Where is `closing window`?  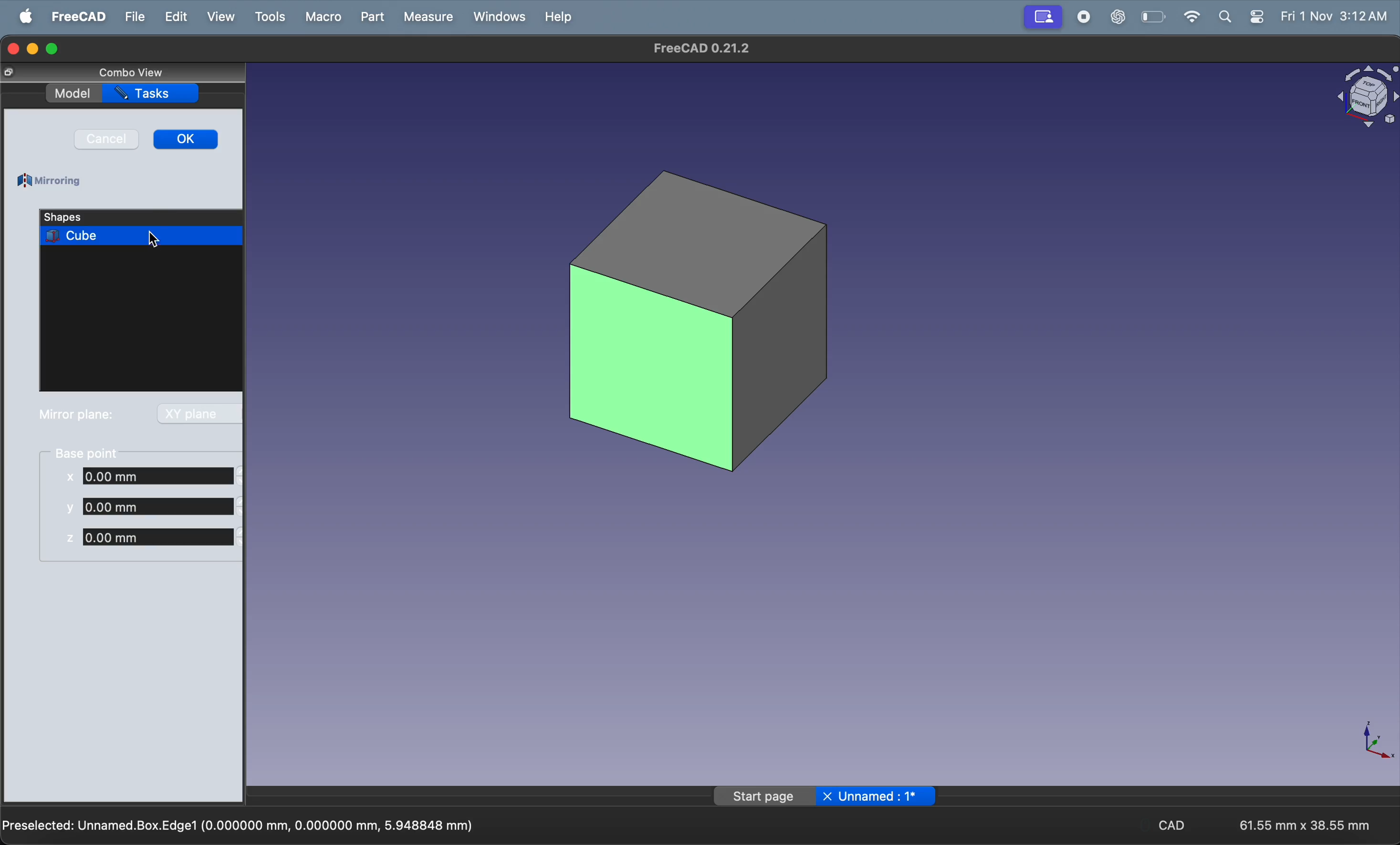 closing window is located at coordinates (11, 49).